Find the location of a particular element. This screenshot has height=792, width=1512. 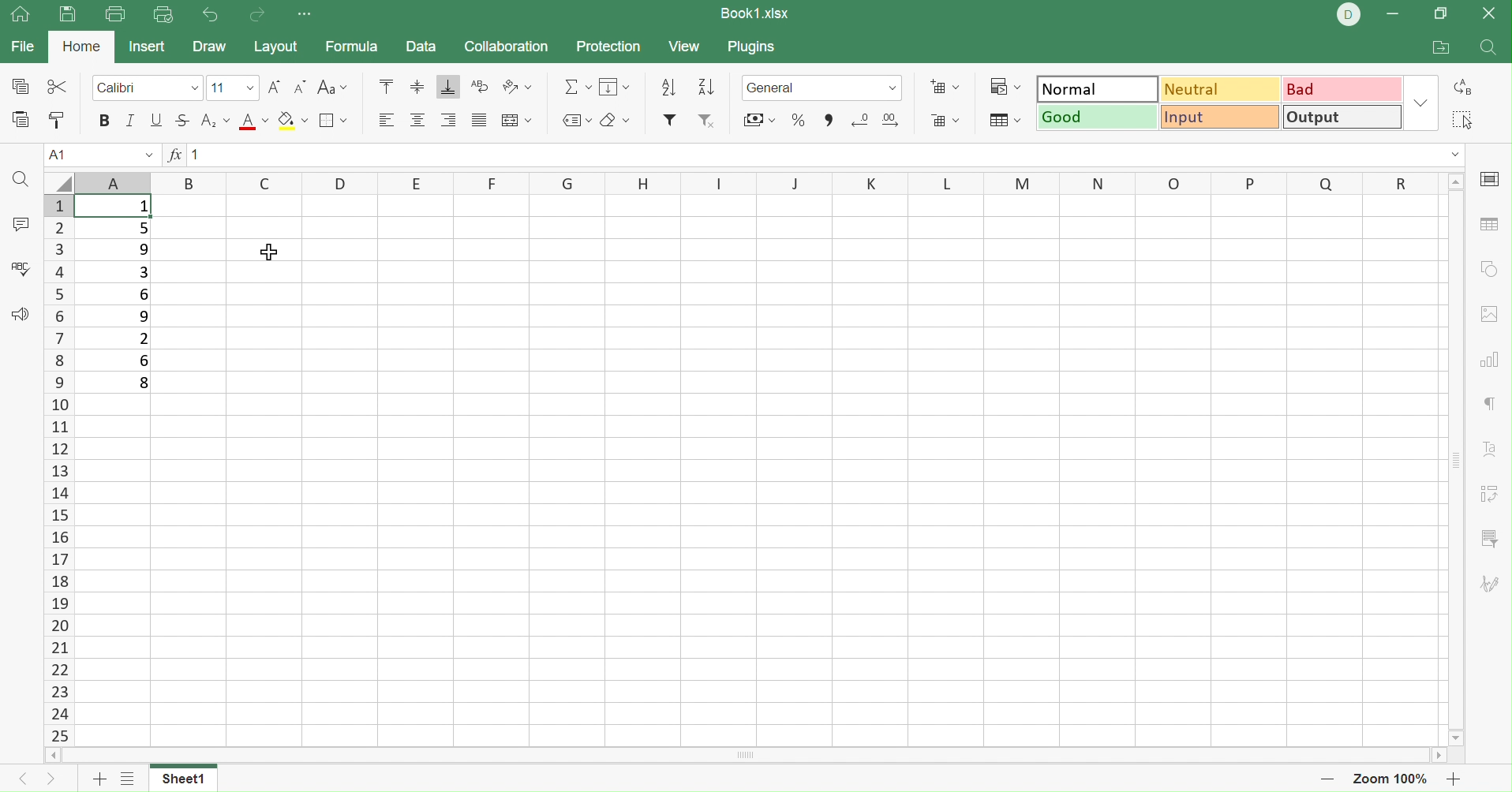

Scroll down is located at coordinates (1458, 738).